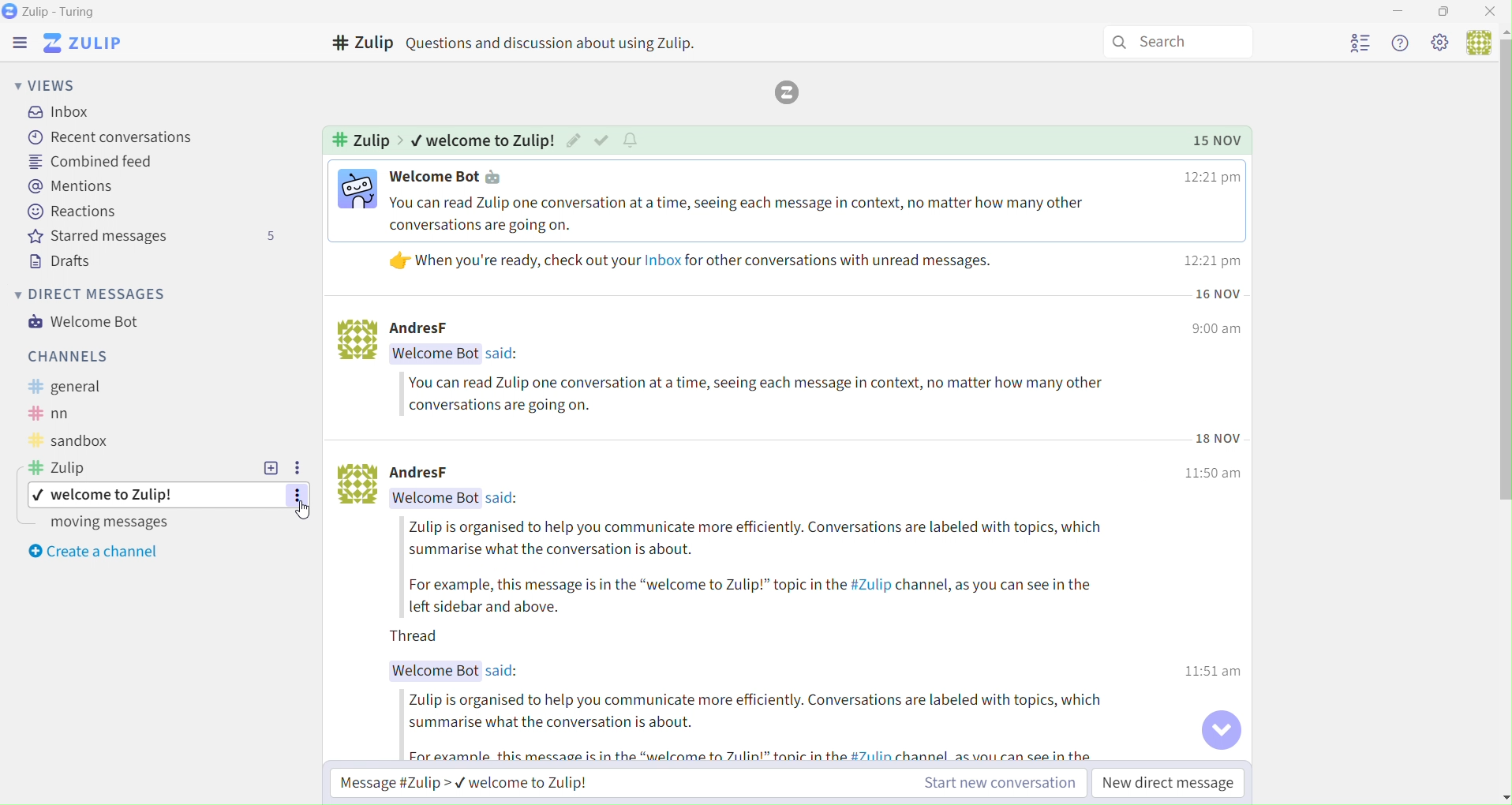 Image resolution: width=1512 pixels, height=805 pixels. Describe the element at coordinates (357, 341) in the screenshot. I see `Image` at that location.